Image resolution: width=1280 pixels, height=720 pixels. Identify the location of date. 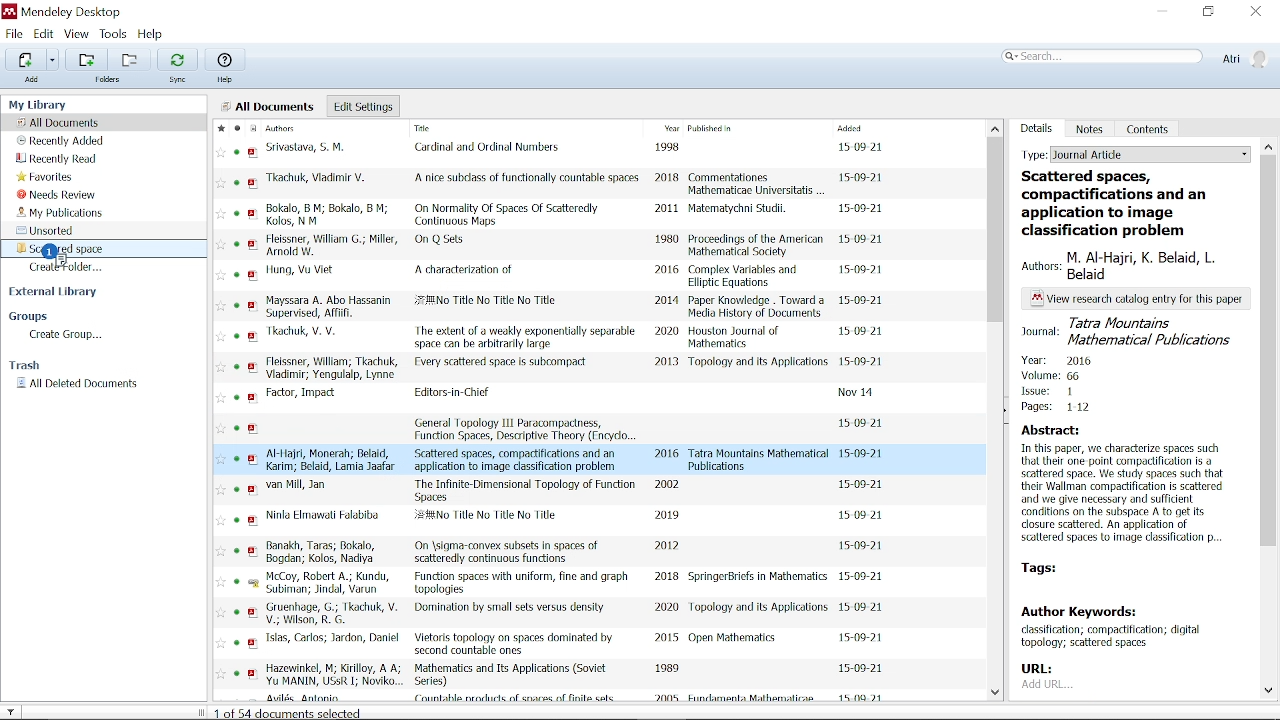
(858, 394).